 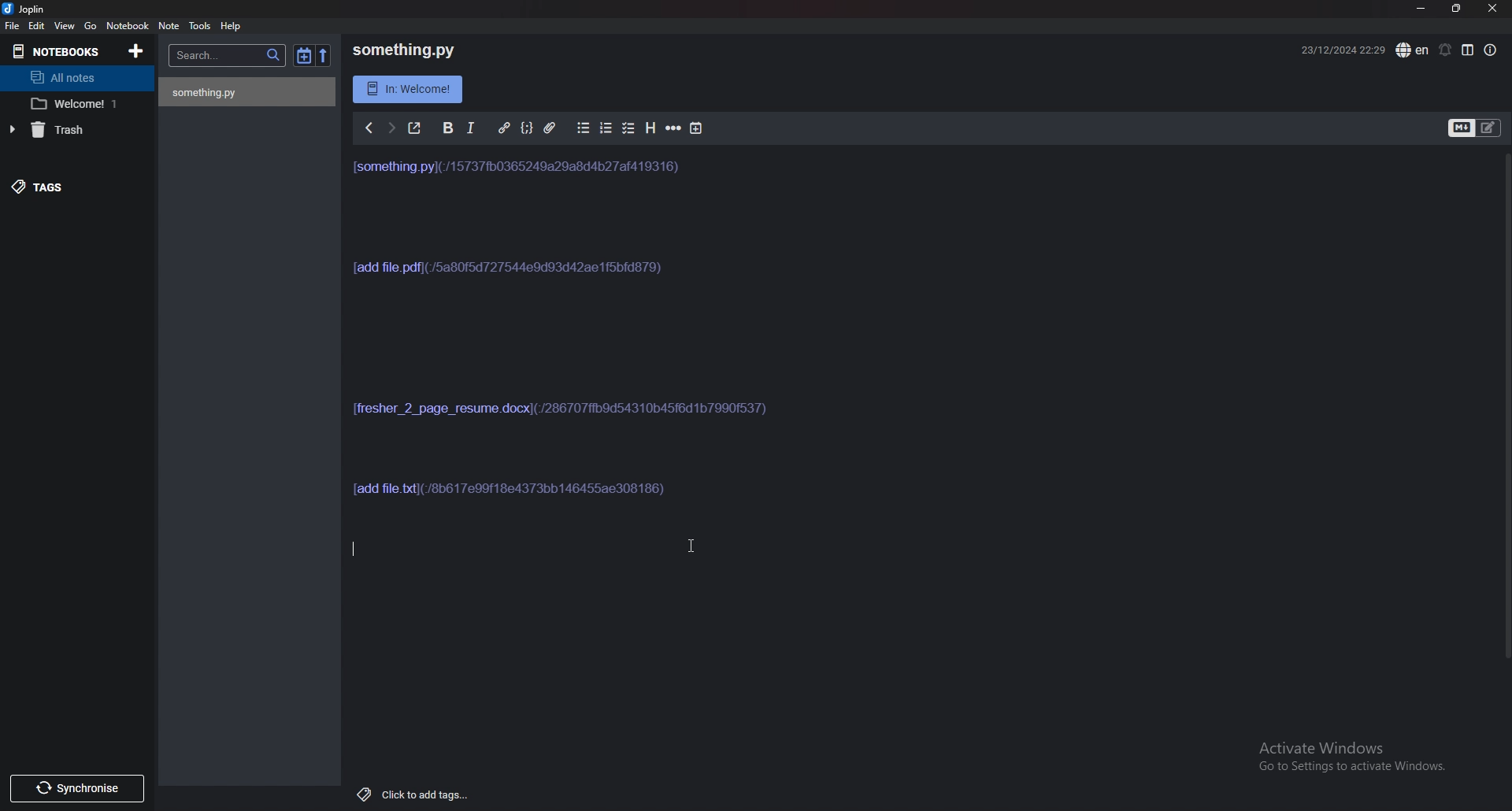 I want to click on Minimize, so click(x=1422, y=9).